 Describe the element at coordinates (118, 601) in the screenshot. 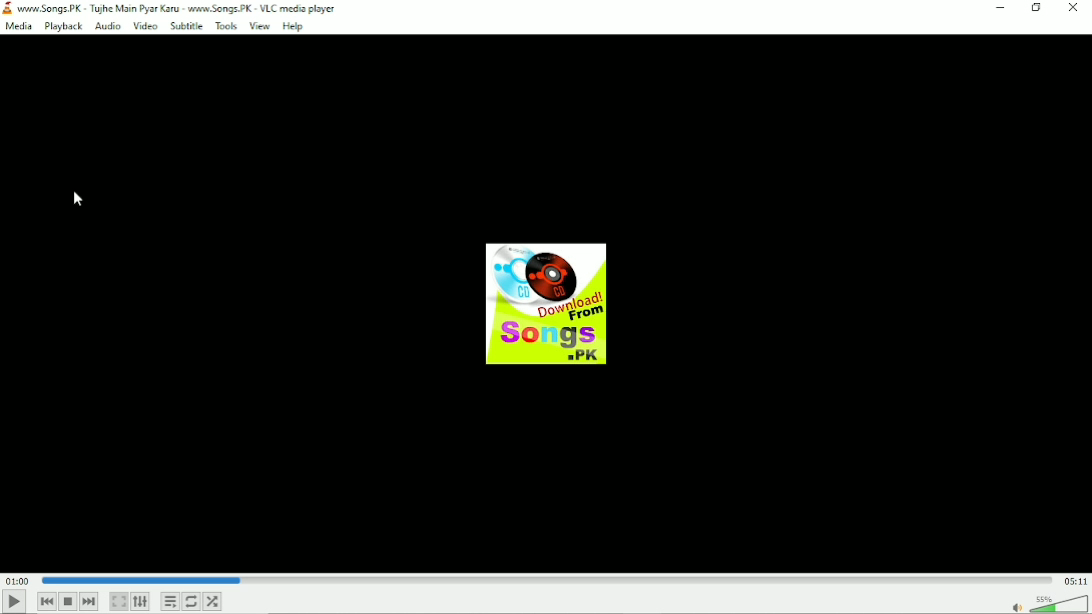

I see `Toggle video in fullscreen` at that location.